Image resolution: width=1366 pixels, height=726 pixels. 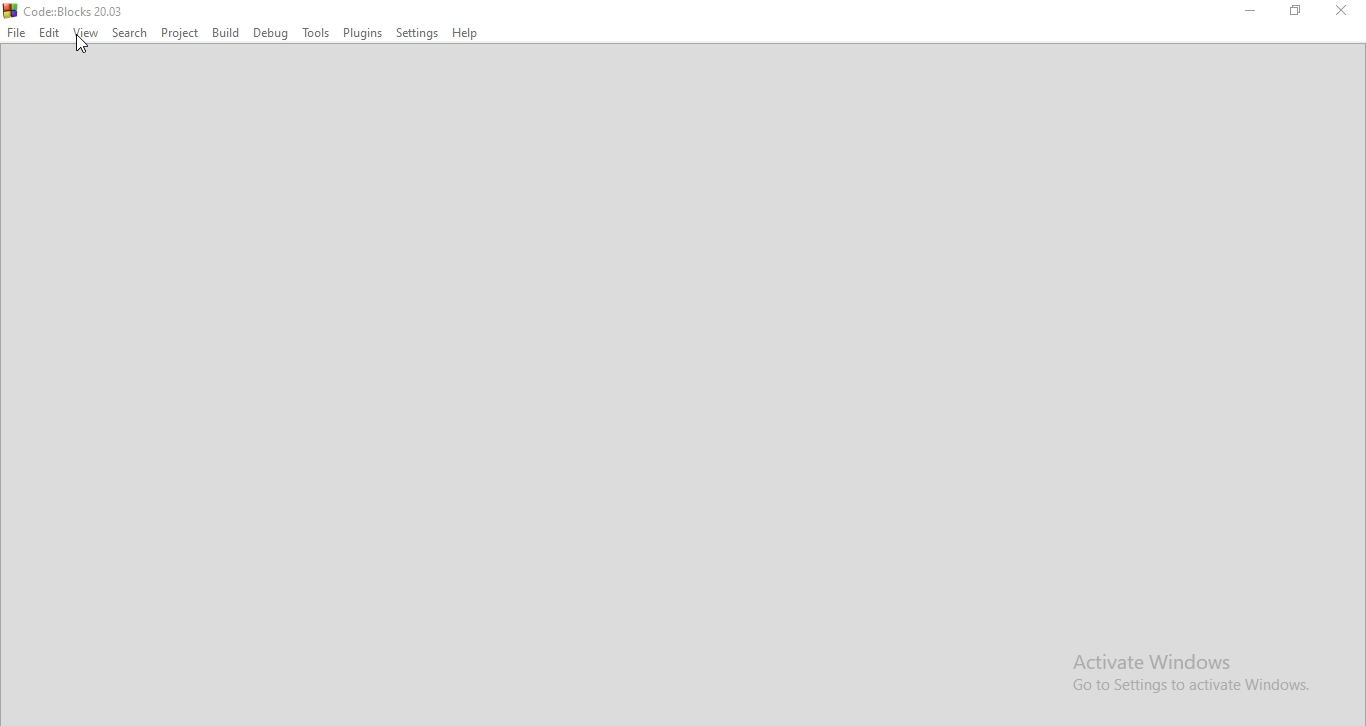 I want to click on logo, so click(x=73, y=10).